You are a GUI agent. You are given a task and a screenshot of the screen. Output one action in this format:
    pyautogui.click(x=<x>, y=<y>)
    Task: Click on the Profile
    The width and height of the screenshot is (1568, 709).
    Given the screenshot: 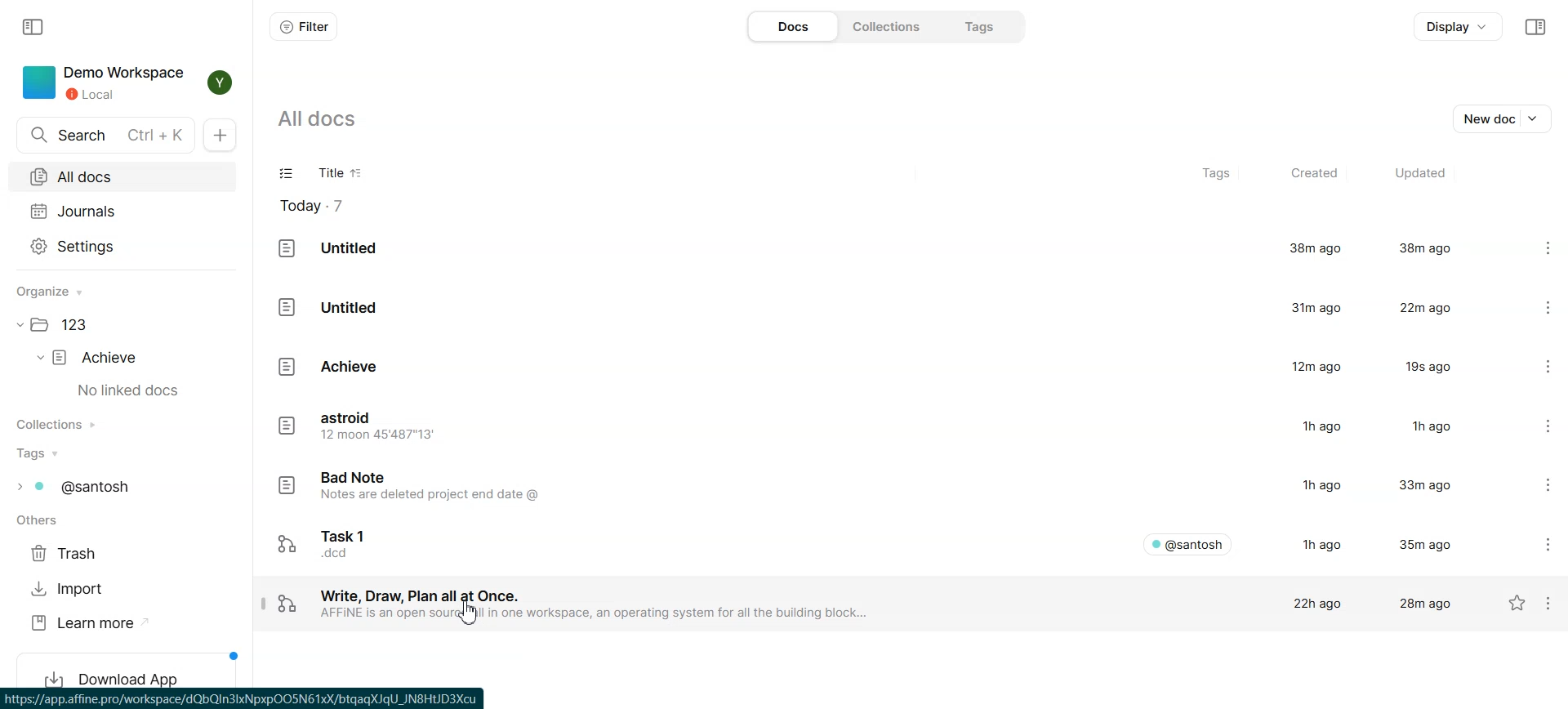 What is the action you would take?
    pyautogui.click(x=216, y=82)
    